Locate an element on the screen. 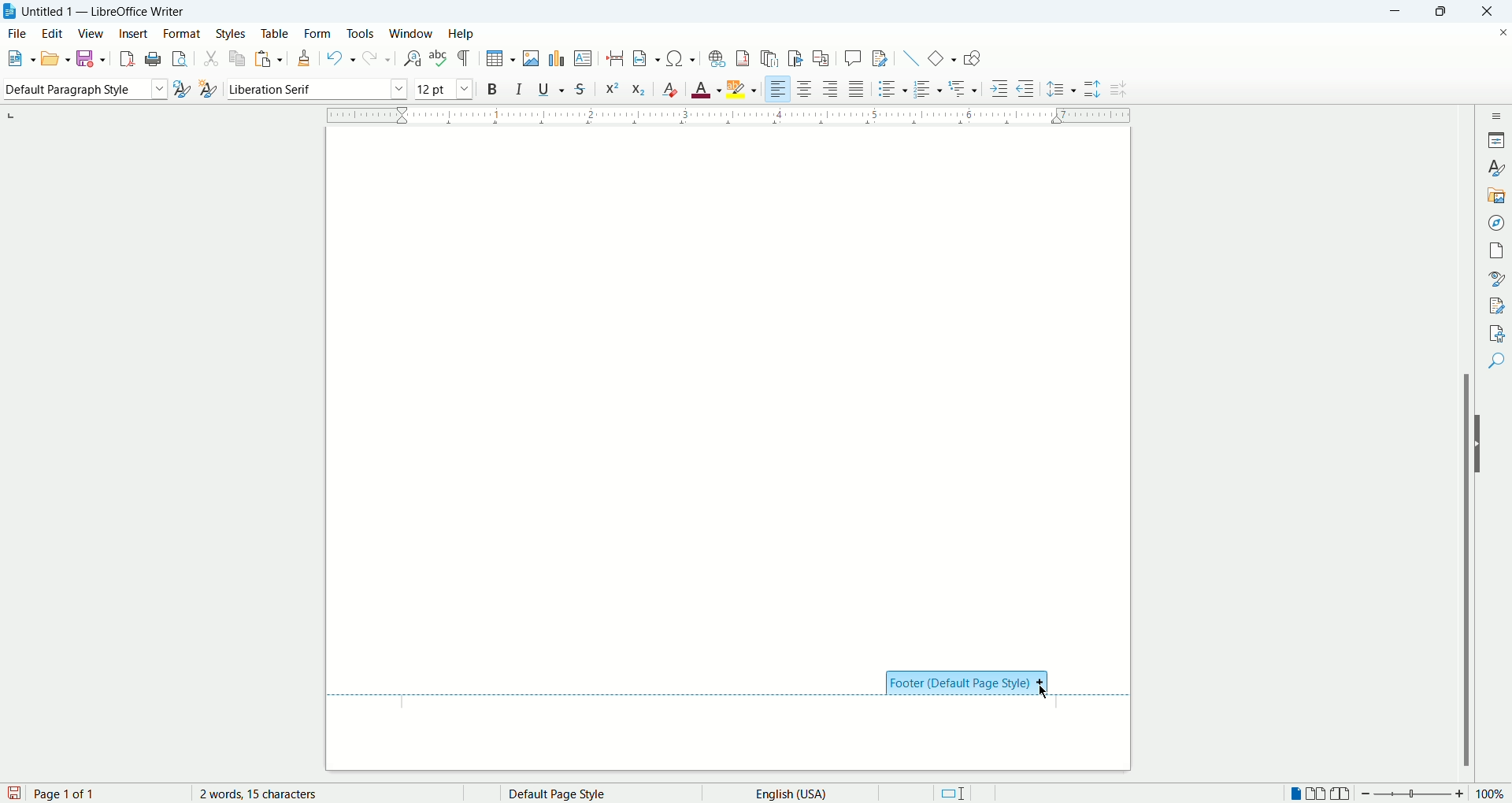 The width and height of the screenshot is (1512, 803). insert field is located at coordinates (646, 59).